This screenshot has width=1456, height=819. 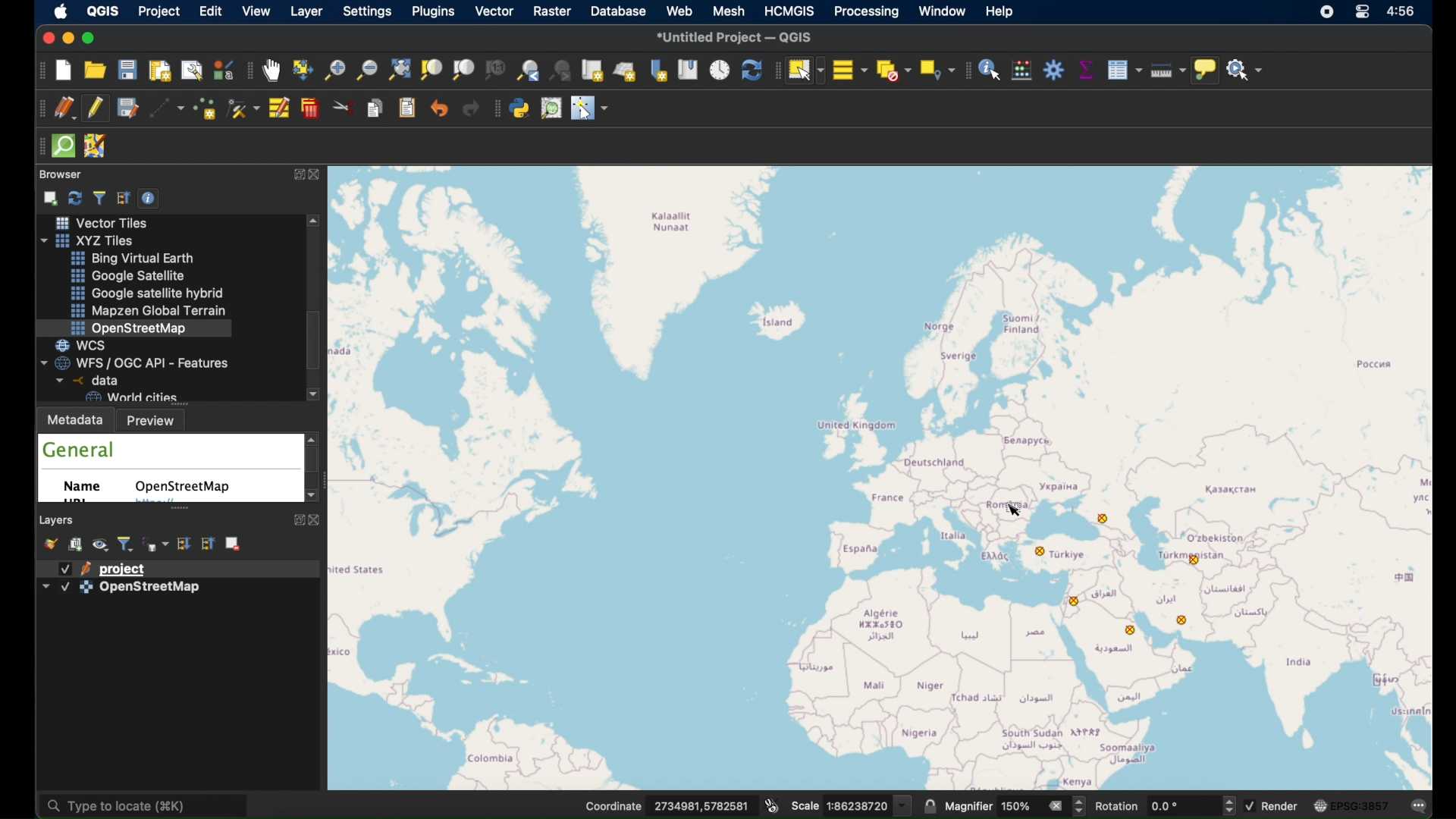 What do you see at coordinates (1182, 619) in the screenshot?
I see `point feature` at bounding box center [1182, 619].